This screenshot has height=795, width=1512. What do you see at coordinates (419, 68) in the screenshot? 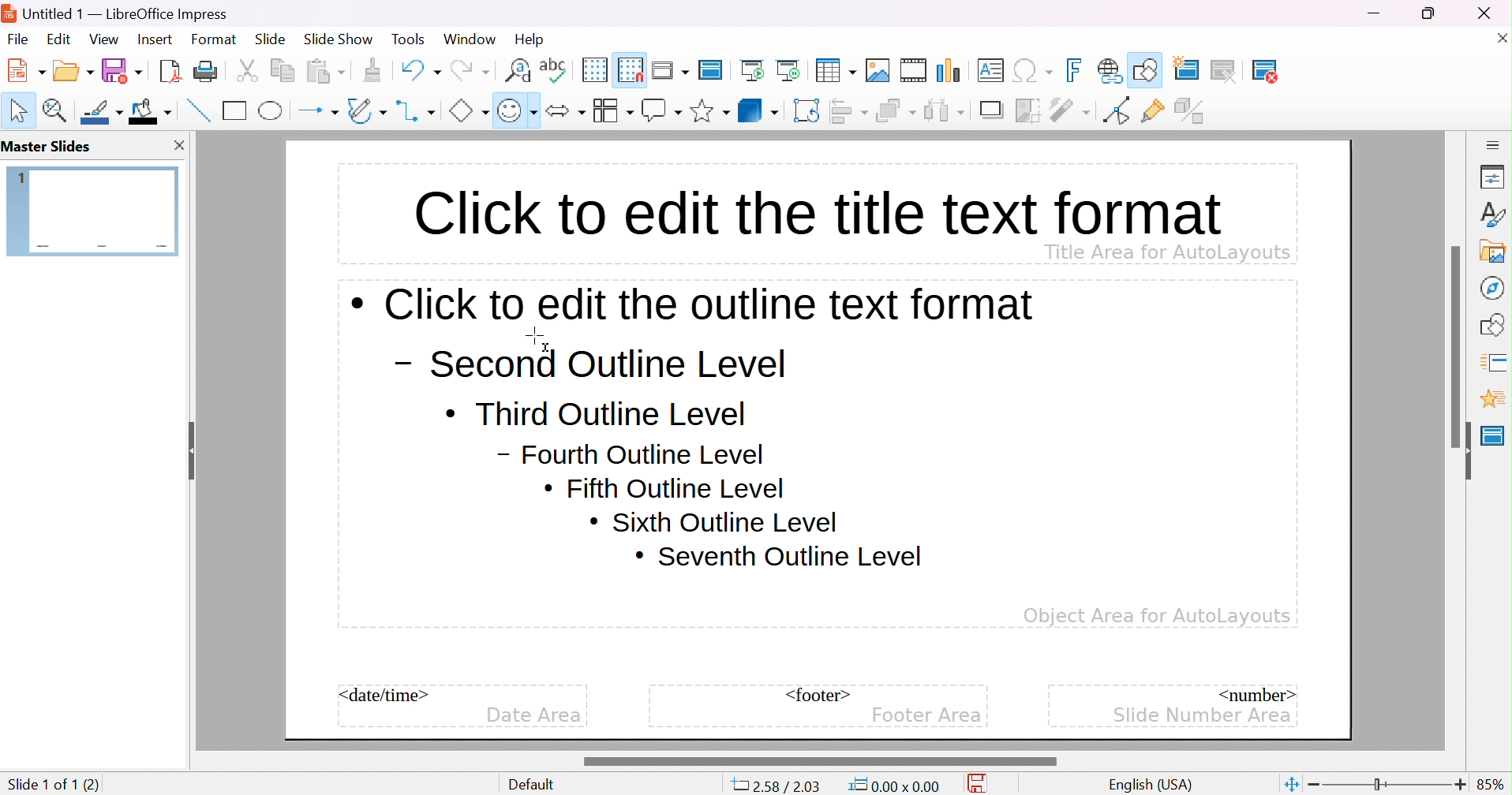
I see `undo` at bounding box center [419, 68].